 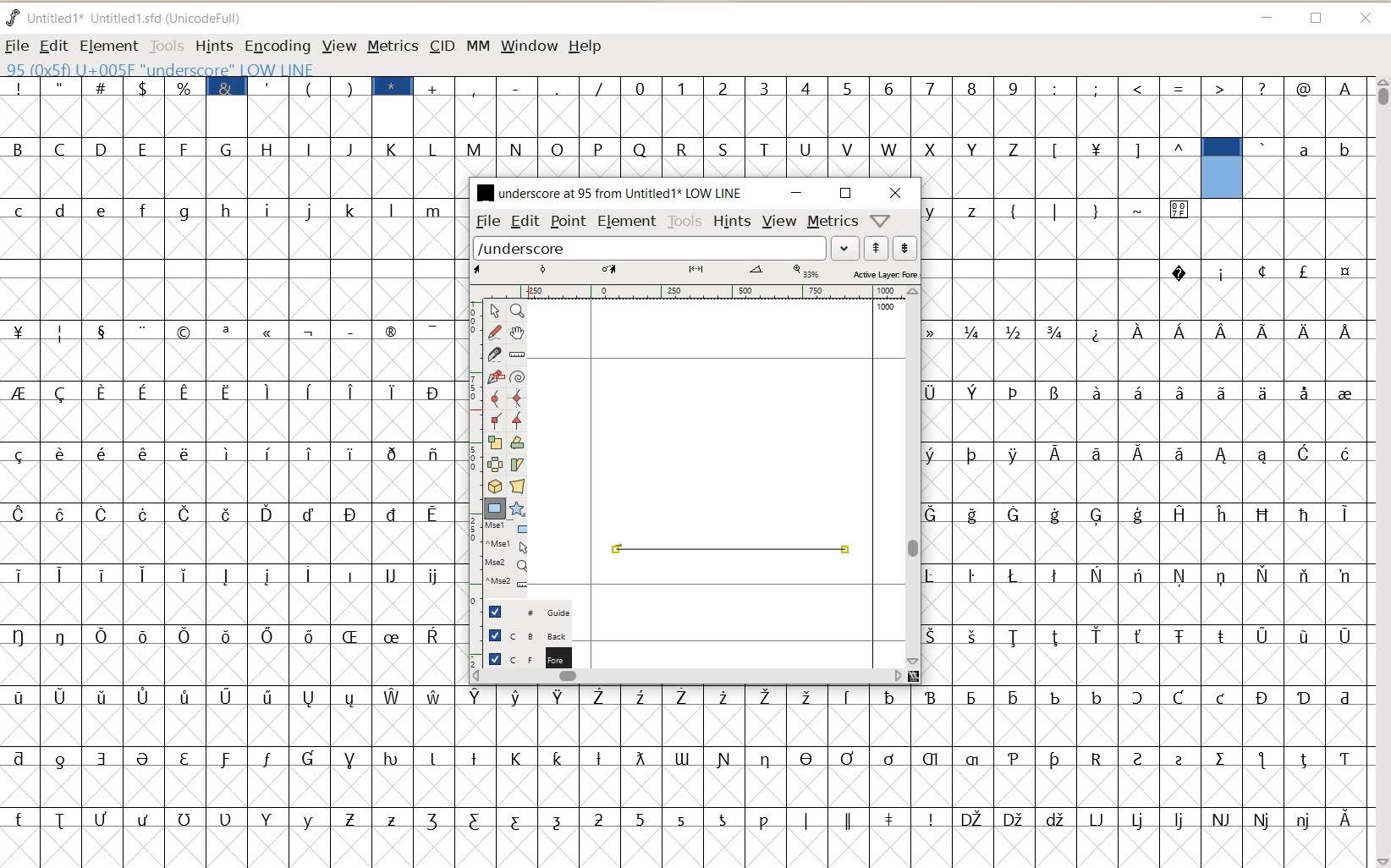 I want to click on ENCODING, so click(x=277, y=47).